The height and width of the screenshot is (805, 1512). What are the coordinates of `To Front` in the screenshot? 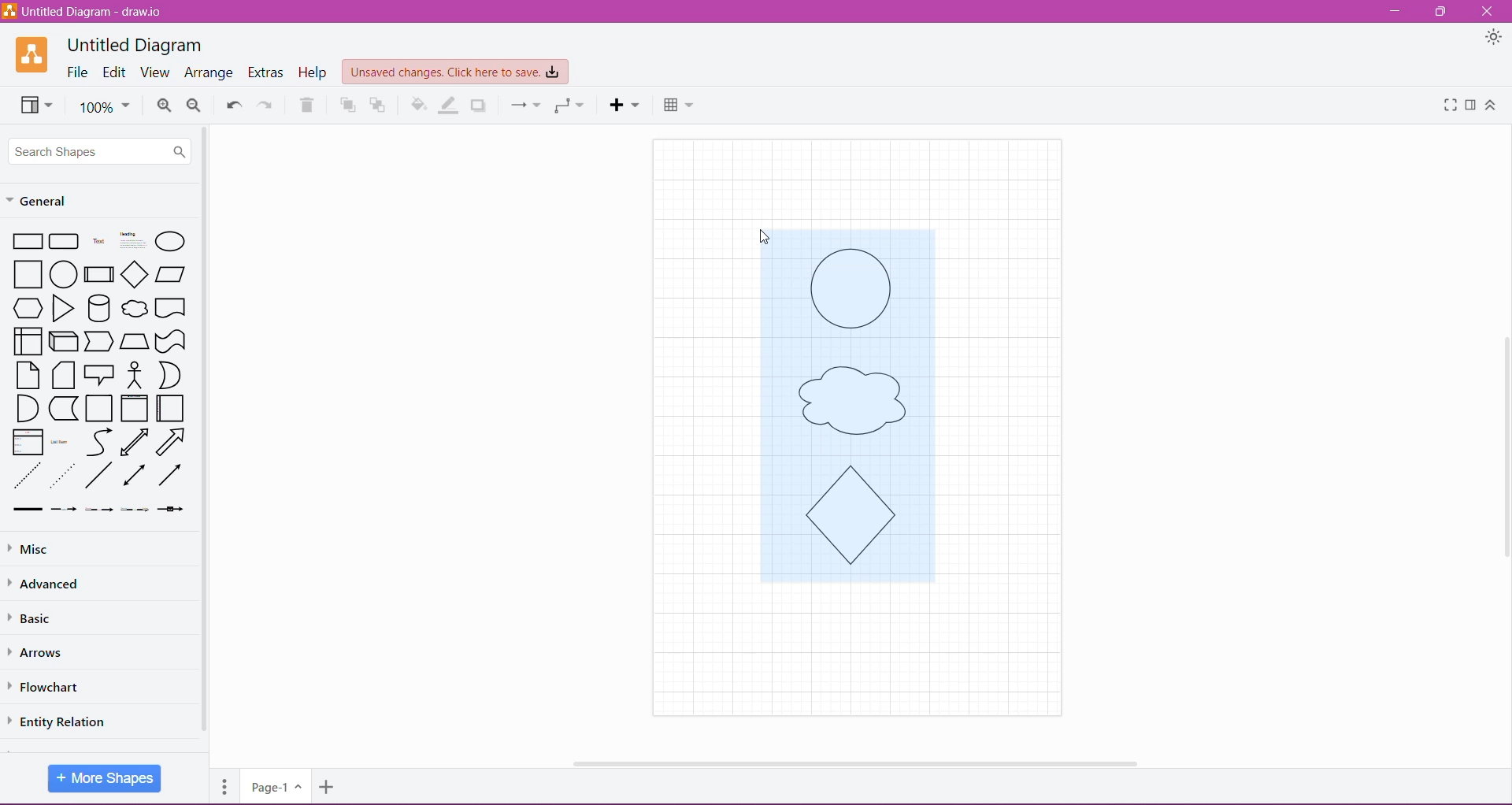 It's located at (346, 106).